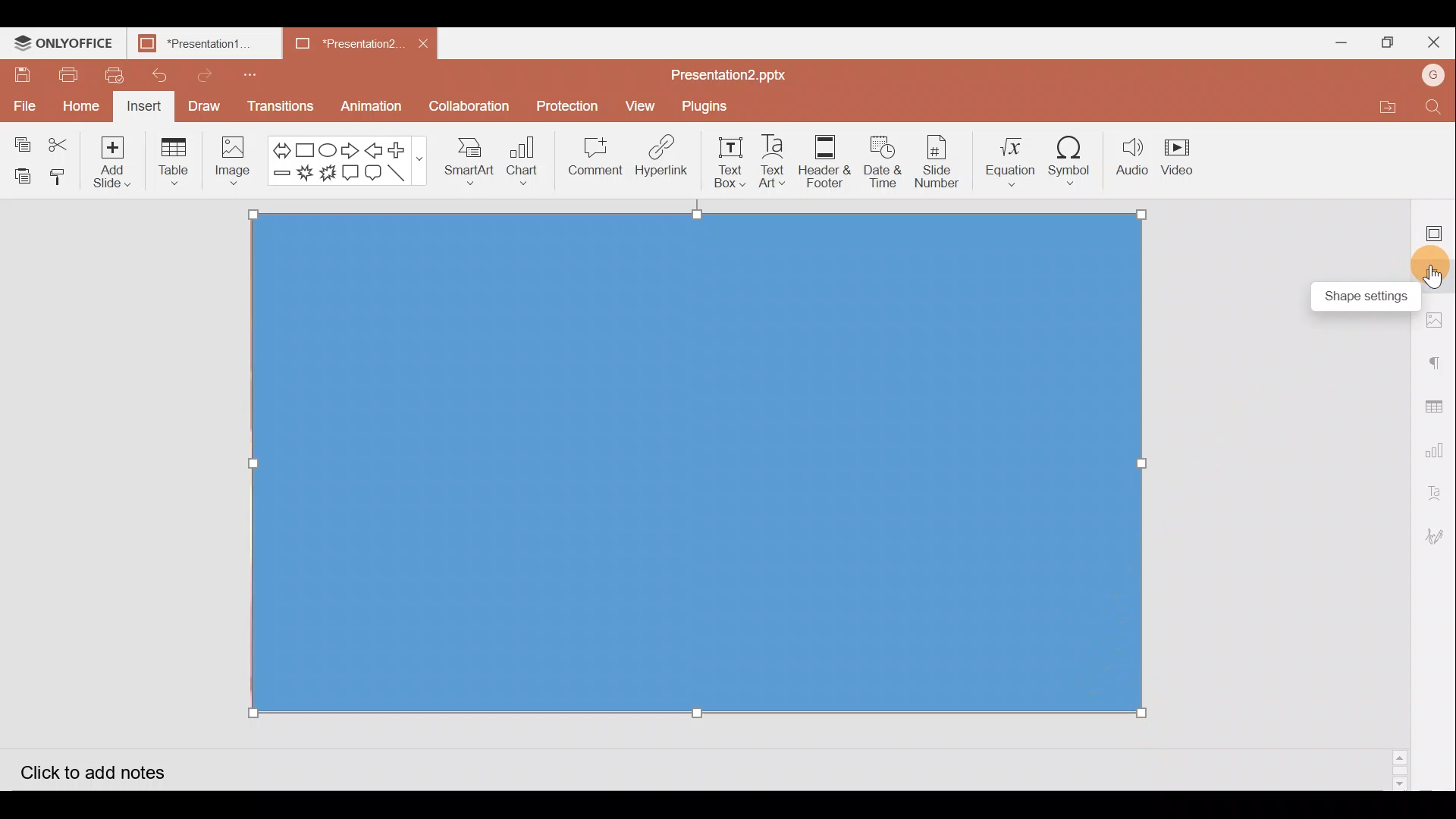 This screenshot has height=819, width=1456. Describe the element at coordinates (208, 75) in the screenshot. I see `Redo` at that location.